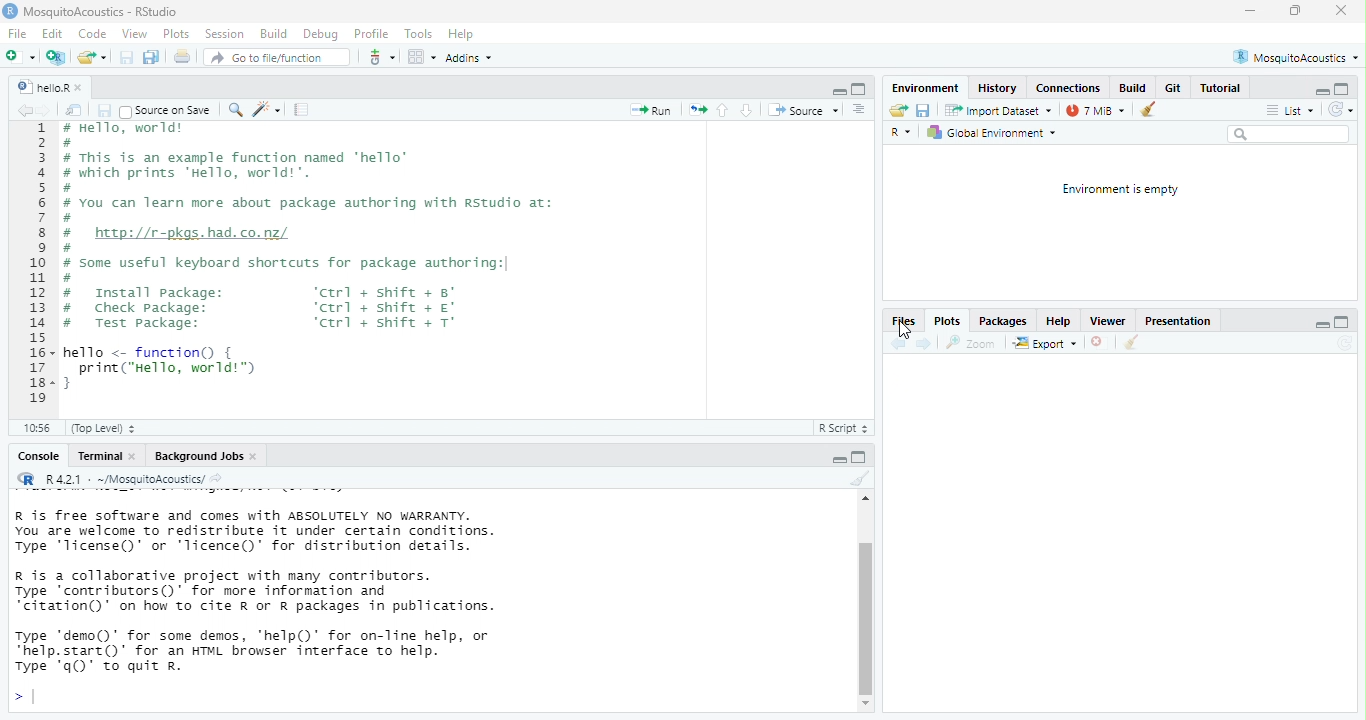  I want to click on go forward to the next source location, so click(51, 111).